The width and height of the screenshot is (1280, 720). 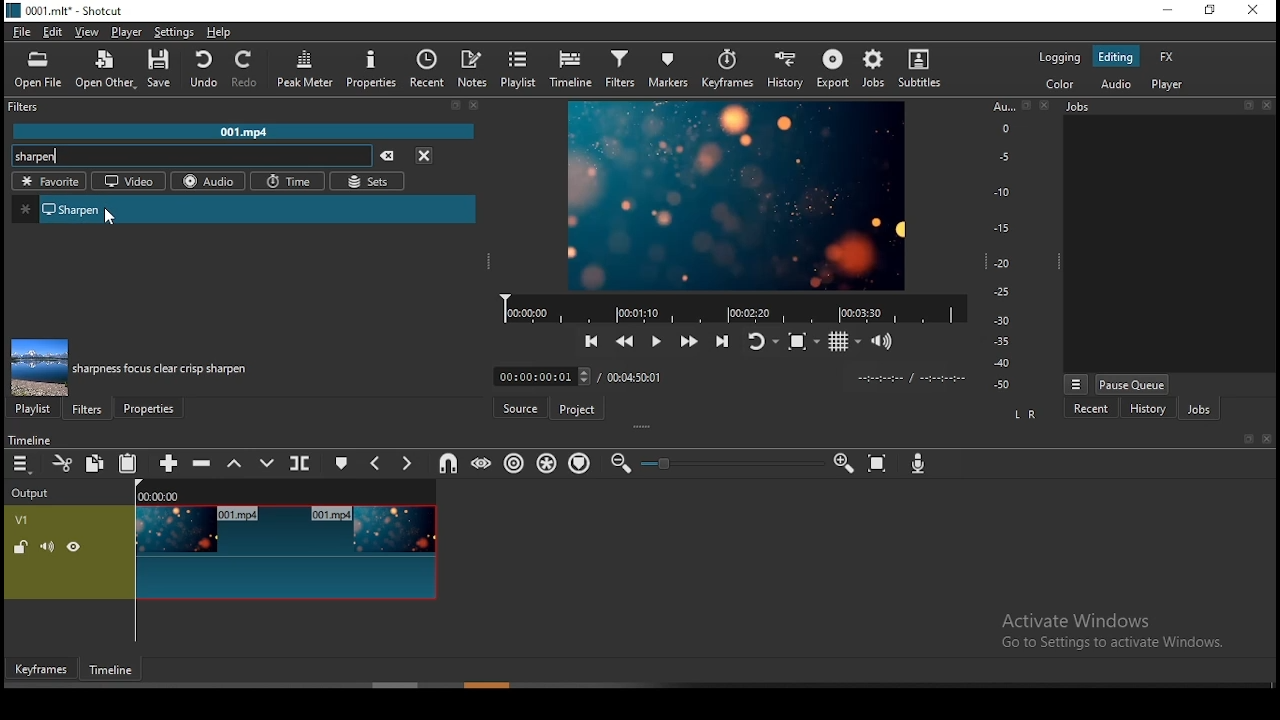 I want to click on image, so click(x=39, y=368).